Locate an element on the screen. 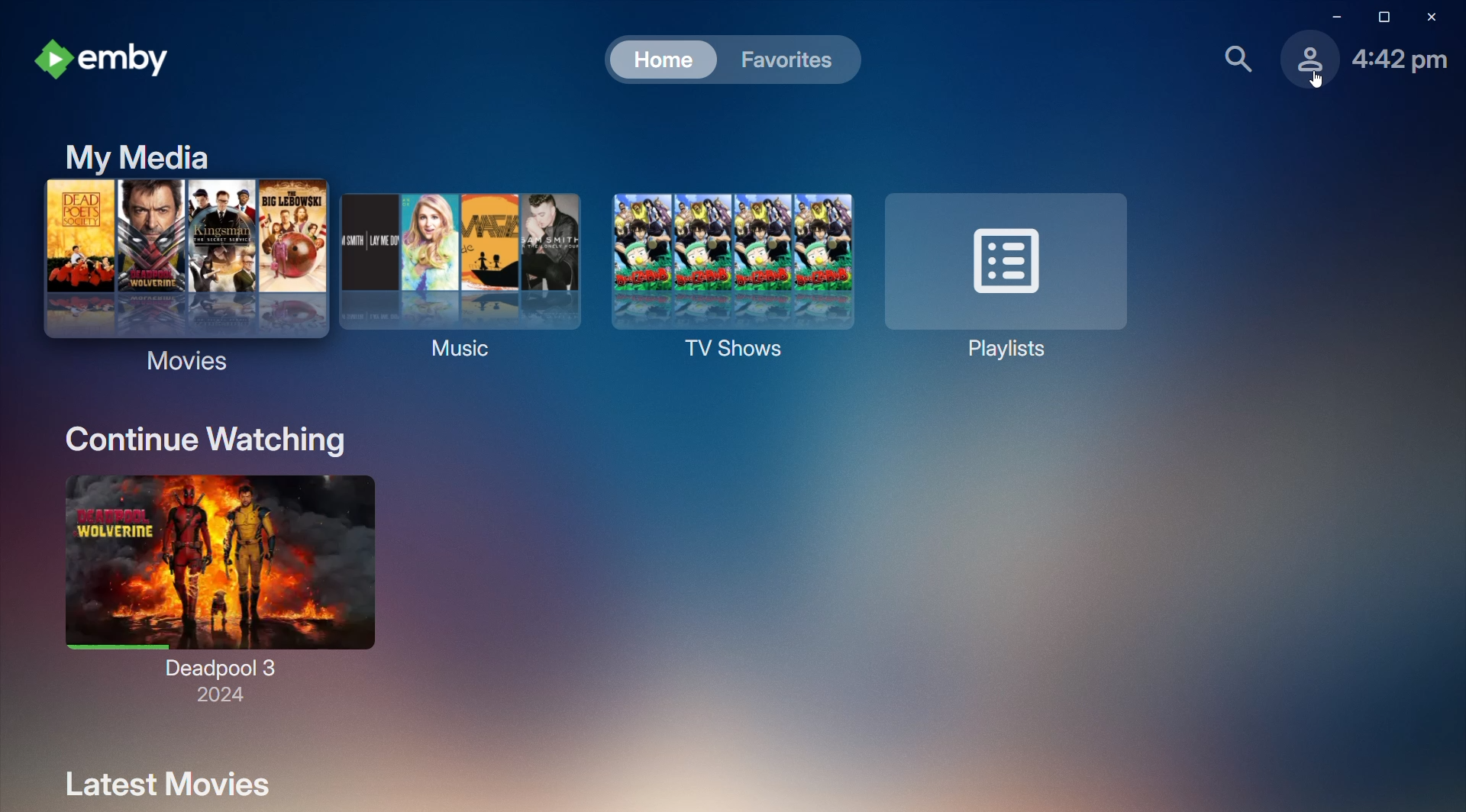 This screenshot has height=812, width=1466. Deadpool 3 is located at coordinates (220, 586).